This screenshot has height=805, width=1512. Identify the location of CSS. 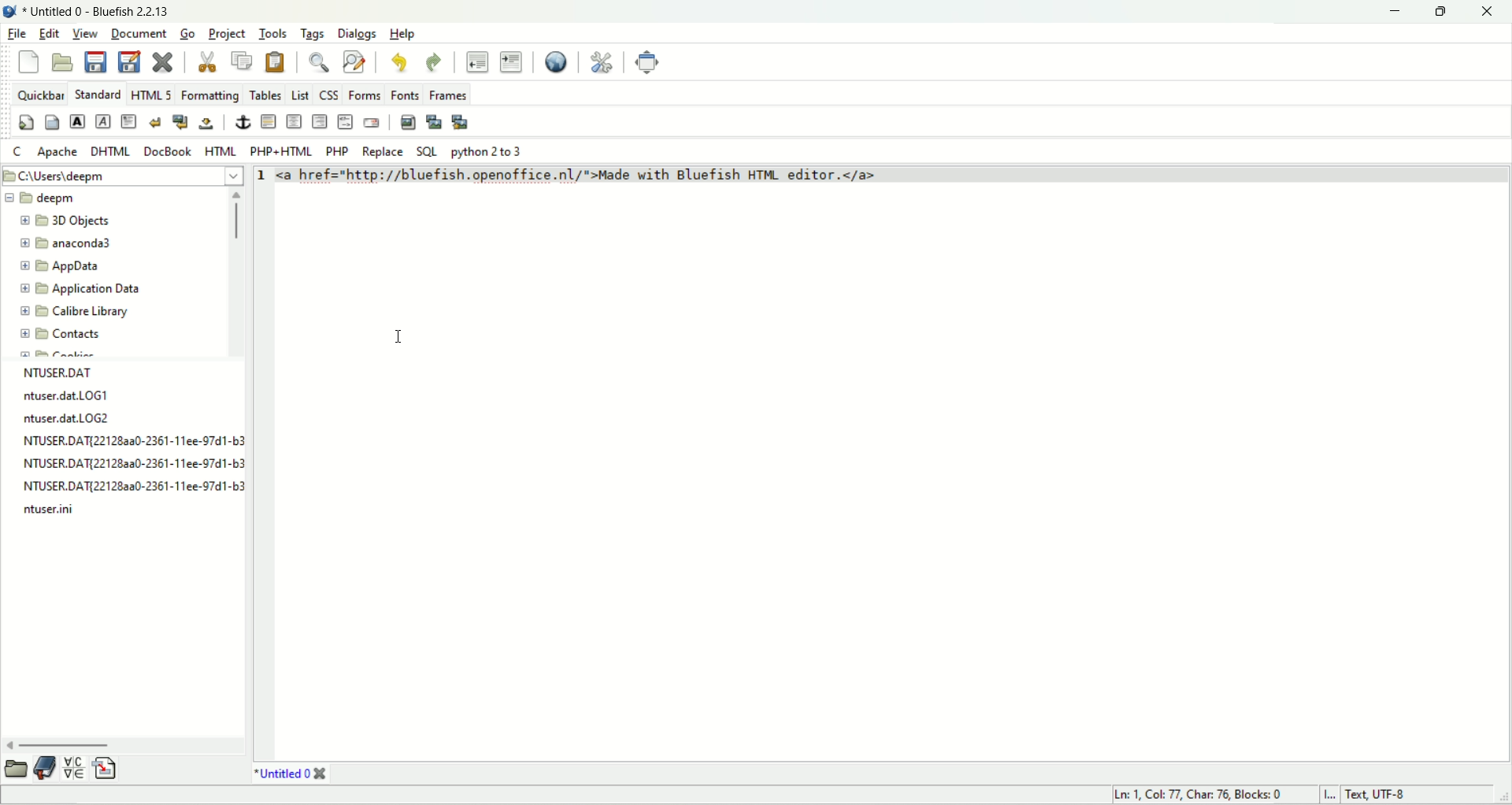
(328, 95).